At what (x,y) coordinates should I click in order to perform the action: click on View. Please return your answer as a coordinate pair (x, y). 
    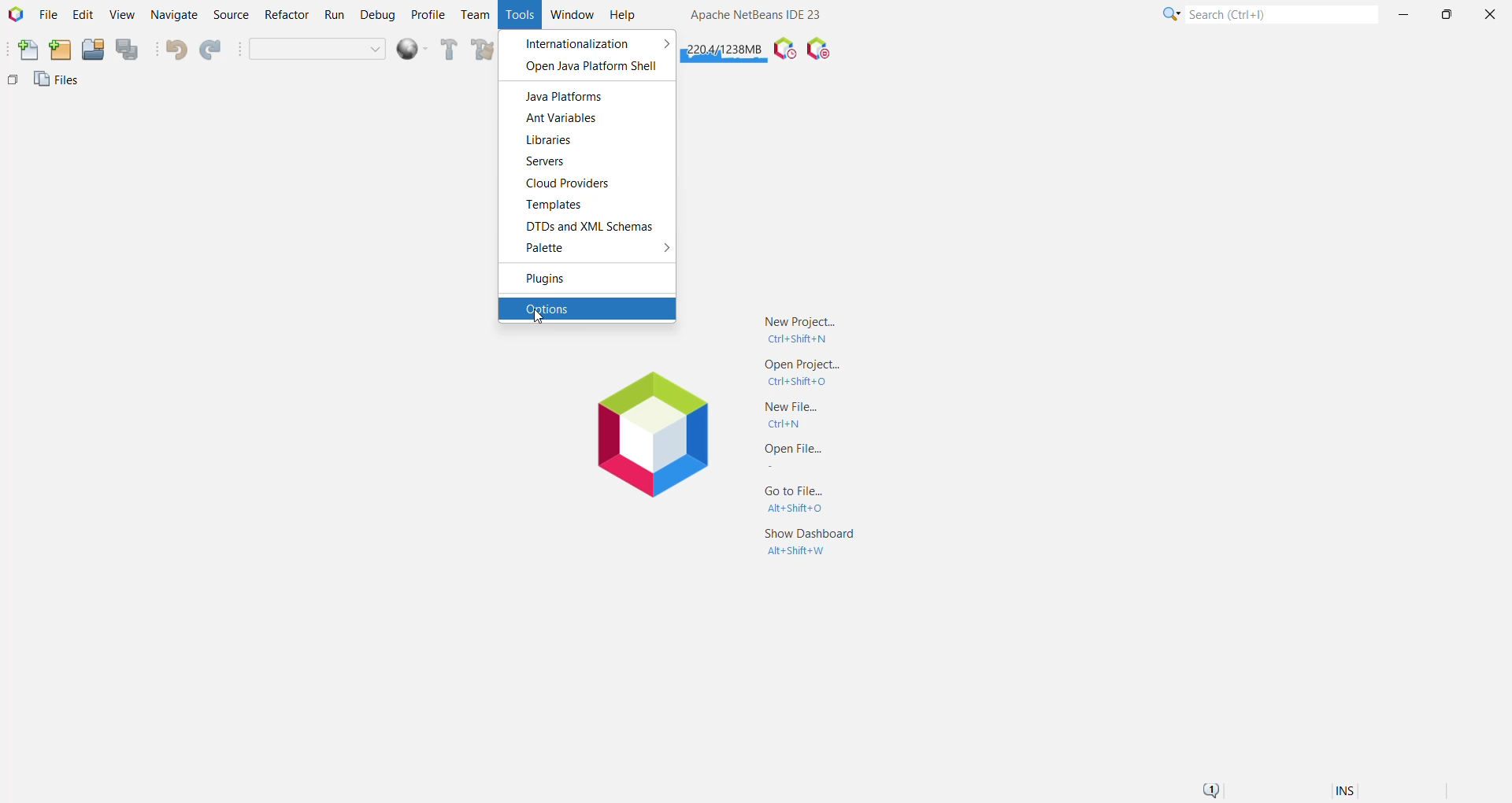
    Looking at the image, I should click on (121, 16).